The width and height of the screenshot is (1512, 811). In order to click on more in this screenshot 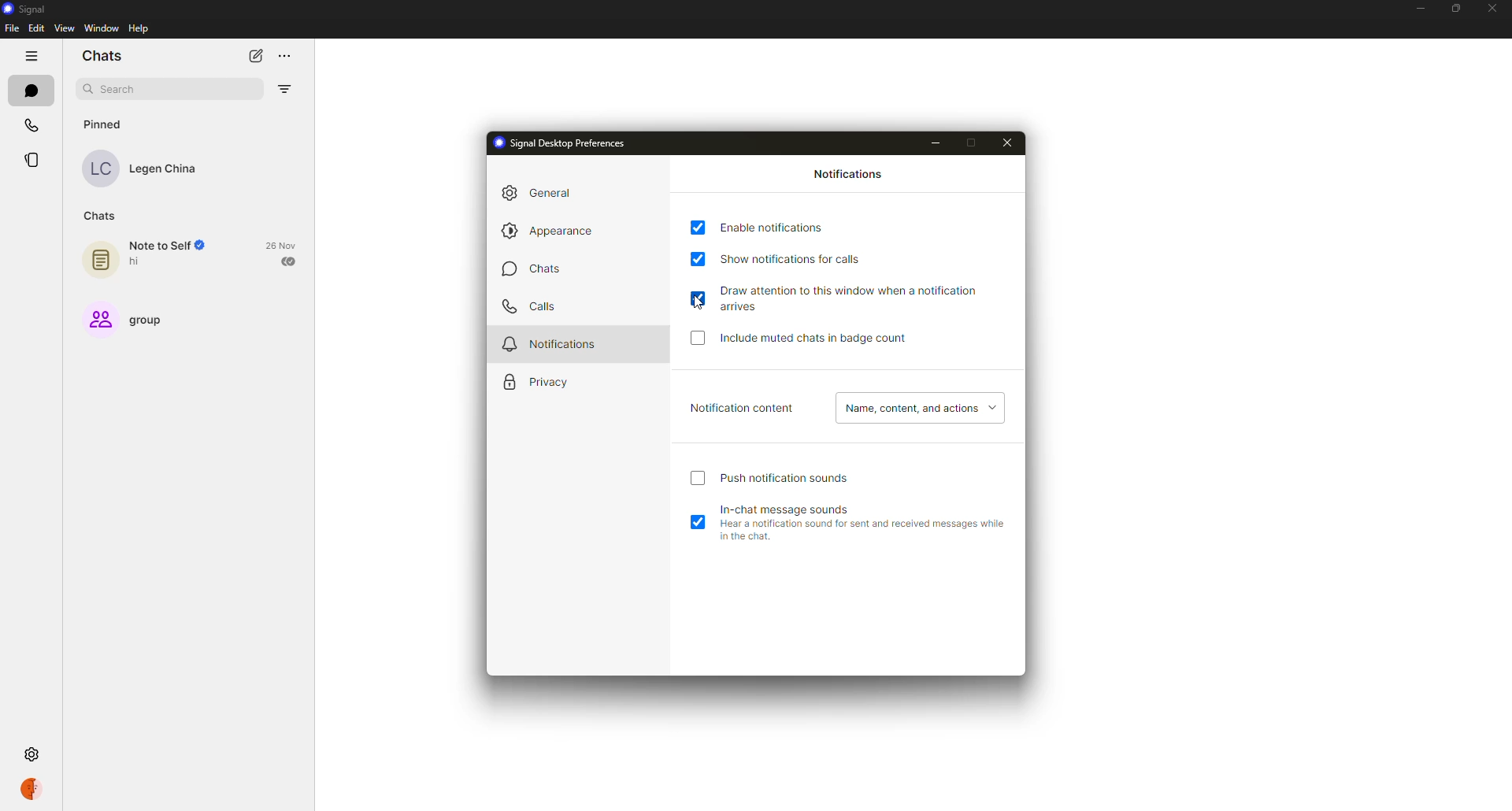, I will do `click(294, 54)`.